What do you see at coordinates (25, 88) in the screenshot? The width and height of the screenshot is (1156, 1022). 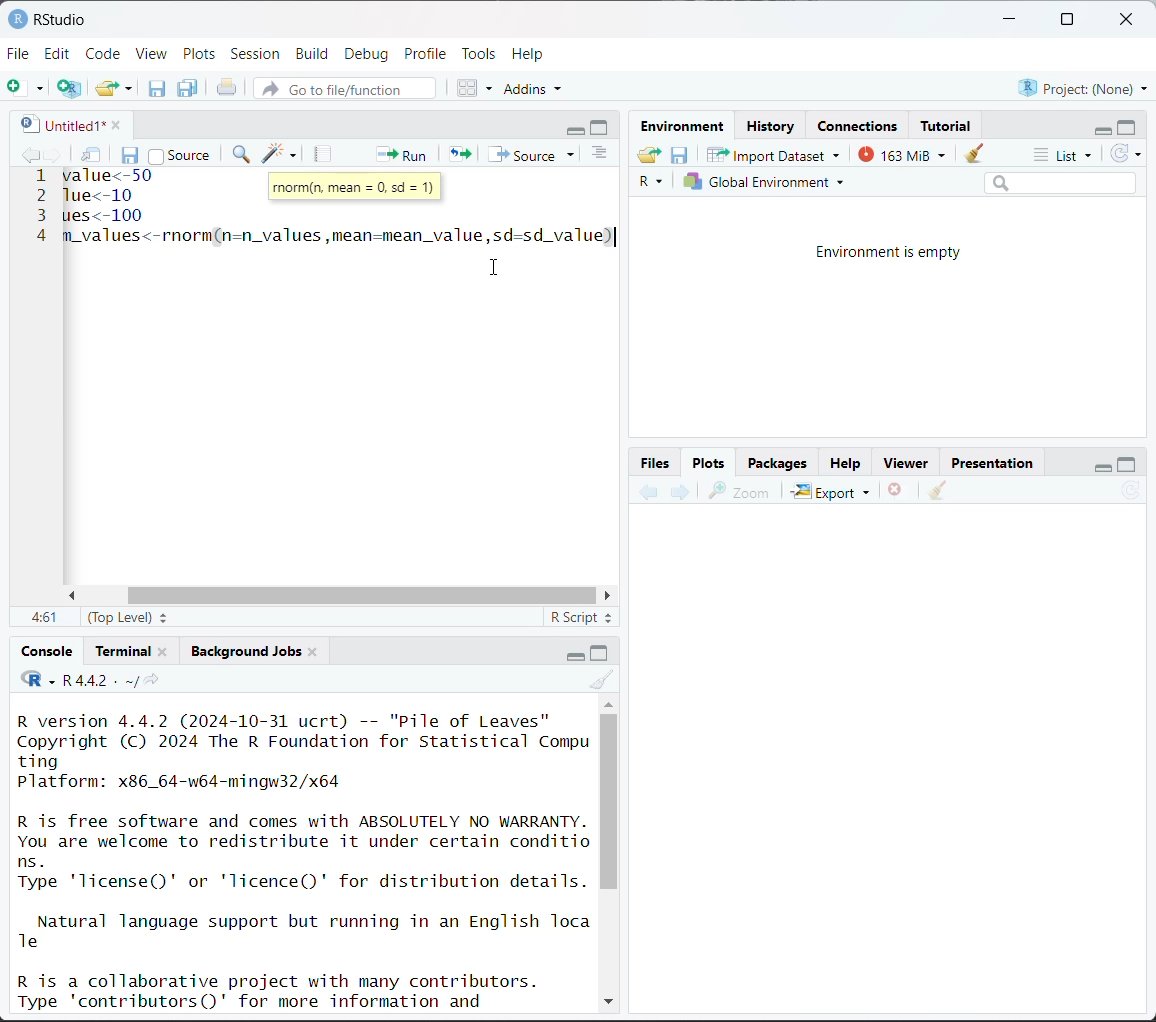 I see `new file` at bounding box center [25, 88].